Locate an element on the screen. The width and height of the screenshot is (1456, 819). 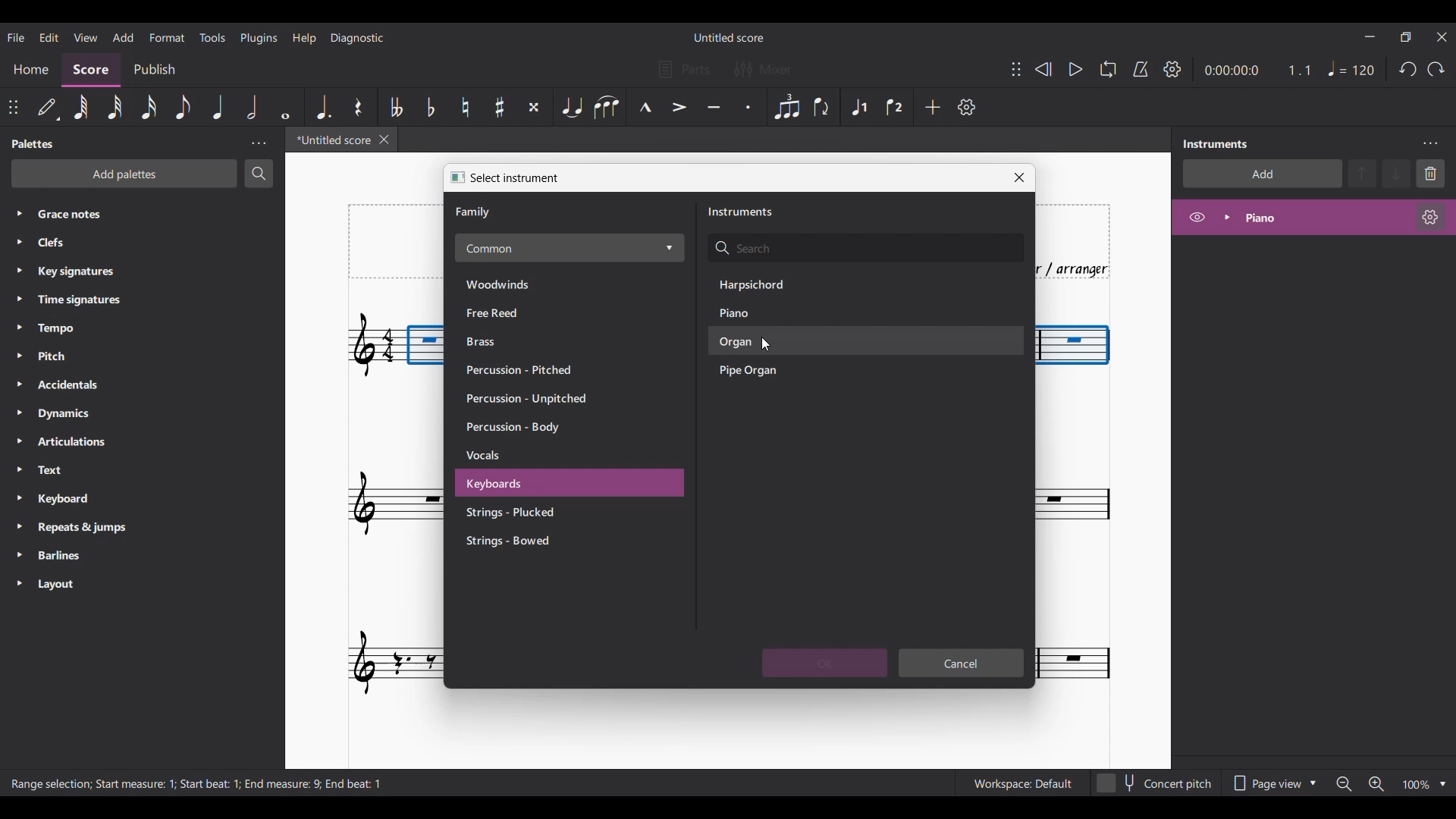
Toggle natural is located at coordinates (465, 107).